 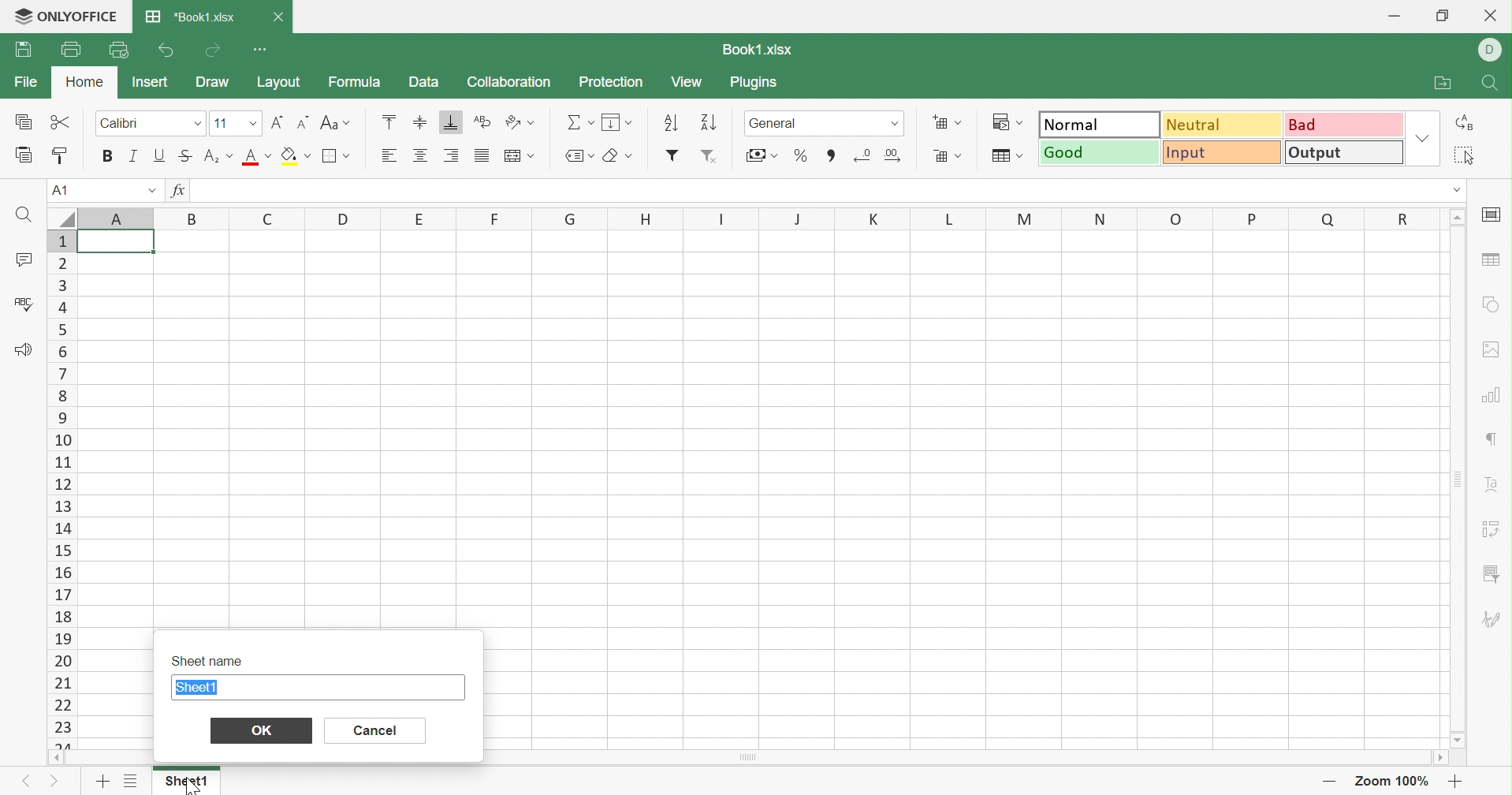 I want to click on Save, so click(x=21, y=50).